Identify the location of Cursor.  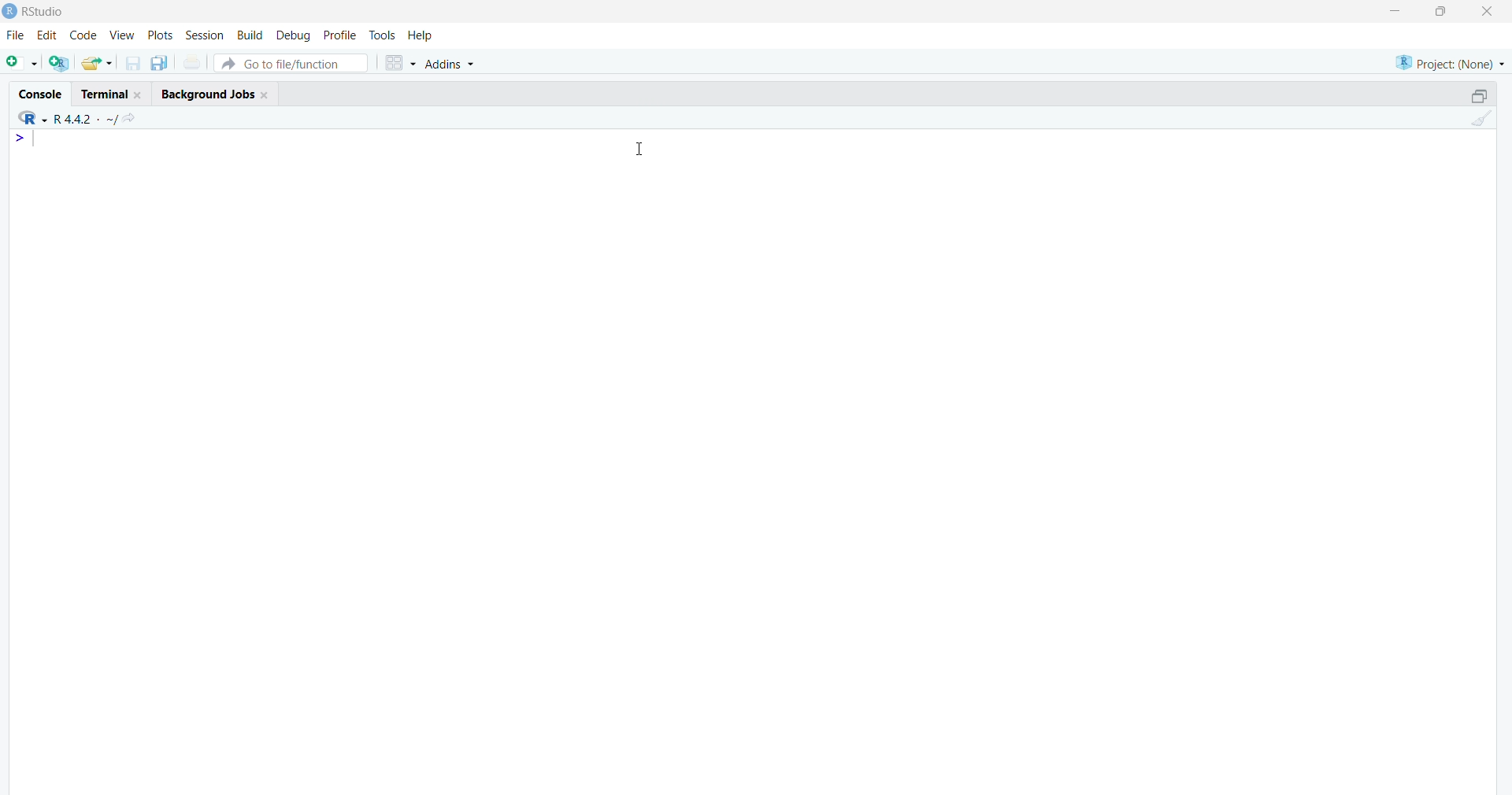
(641, 148).